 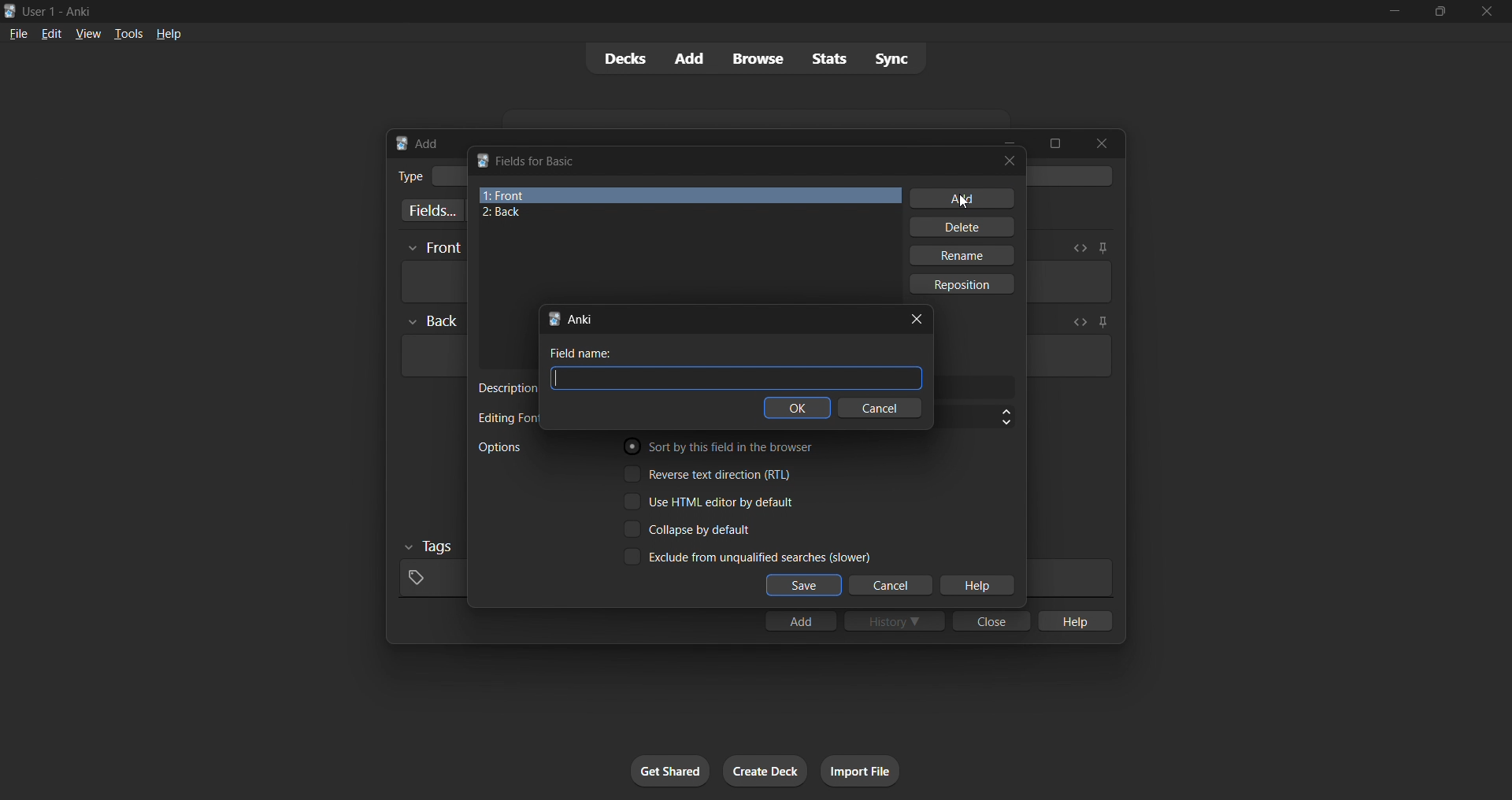 I want to click on rename , so click(x=961, y=255).